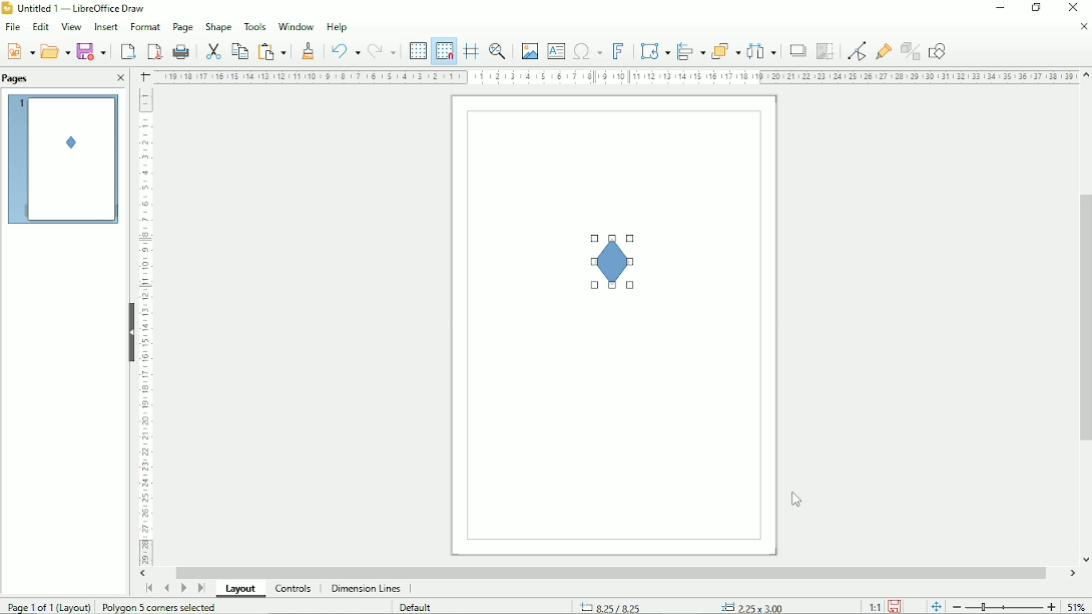  What do you see at coordinates (687, 604) in the screenshot?
I see `Cursor position` at bounding box center [687, 604].